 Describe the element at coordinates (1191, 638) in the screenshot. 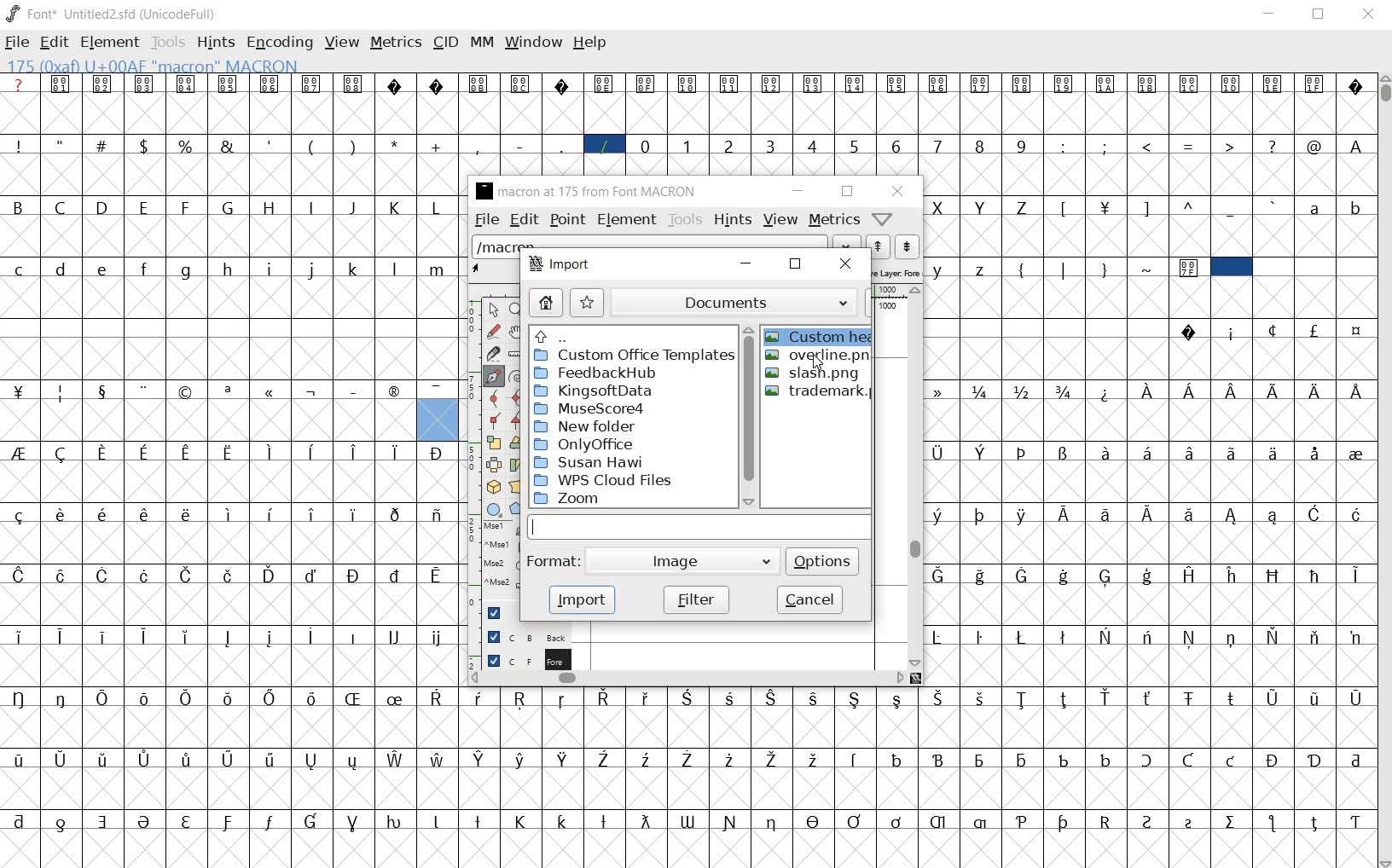

I see `Symbol` at that location.